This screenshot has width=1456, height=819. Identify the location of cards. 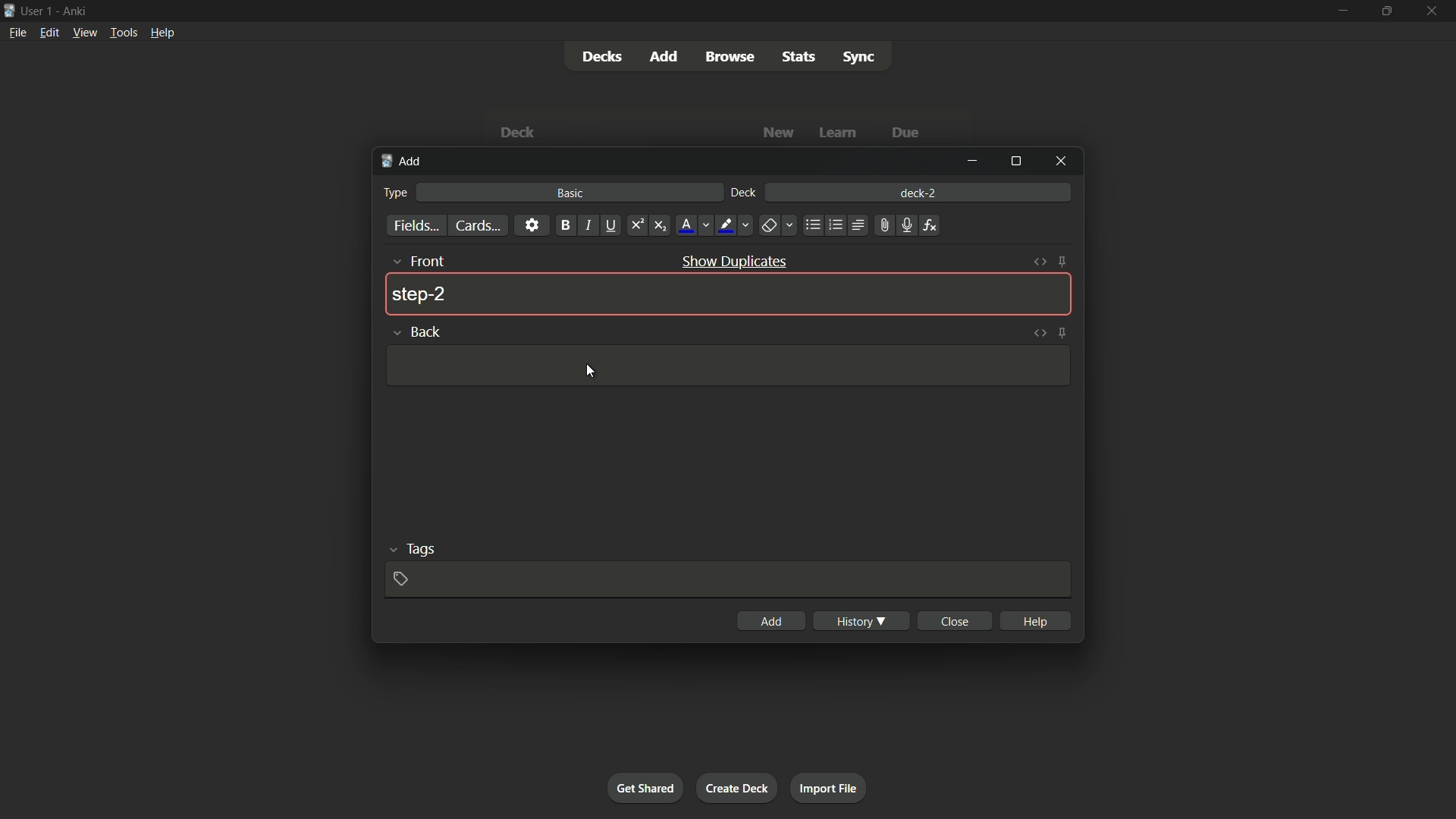
(479, 225).